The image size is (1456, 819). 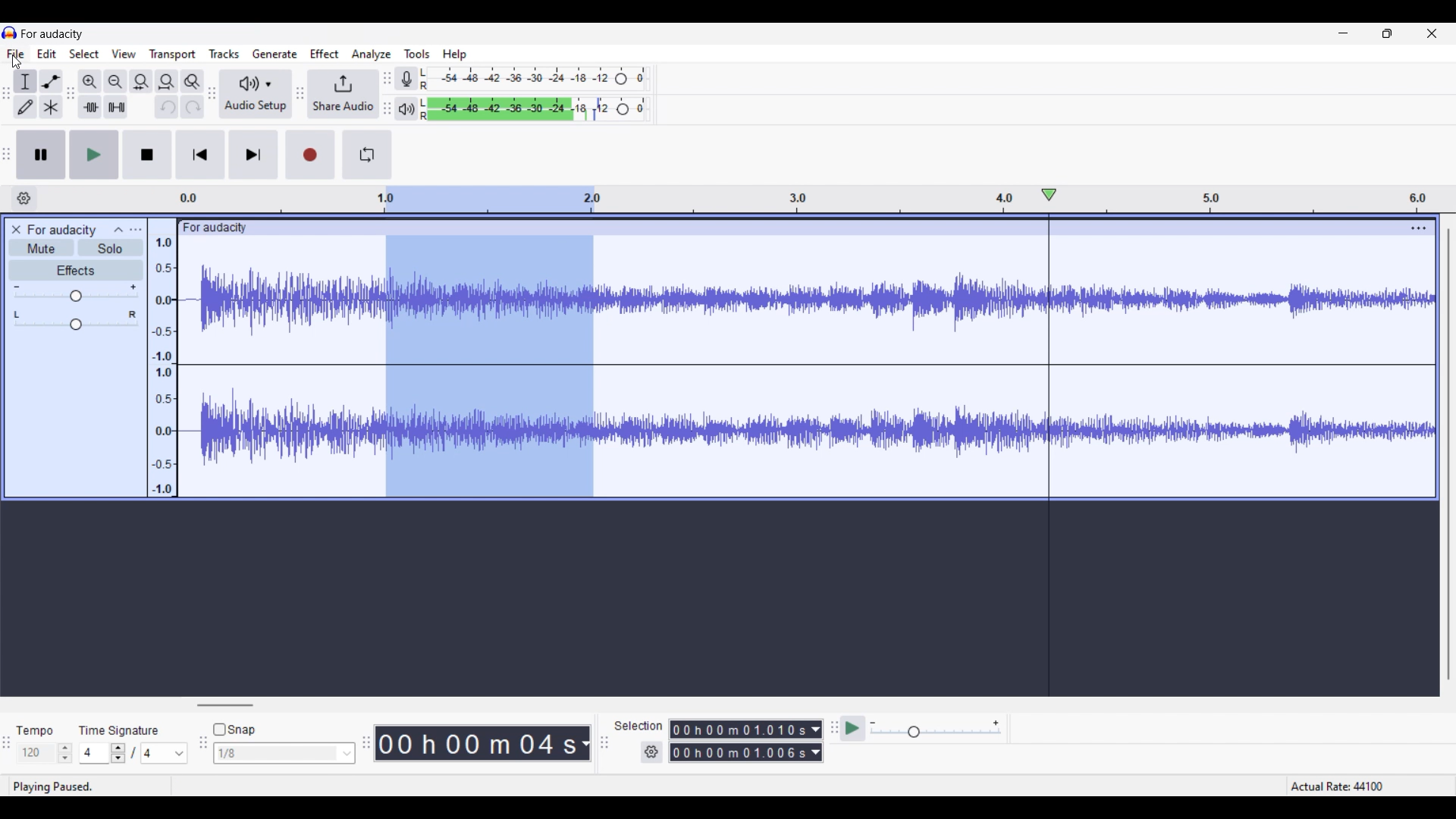 What do you see at coordinates (24, 199) in the screenshot?
I see `Timeline options` at bounding box center [24, 199].